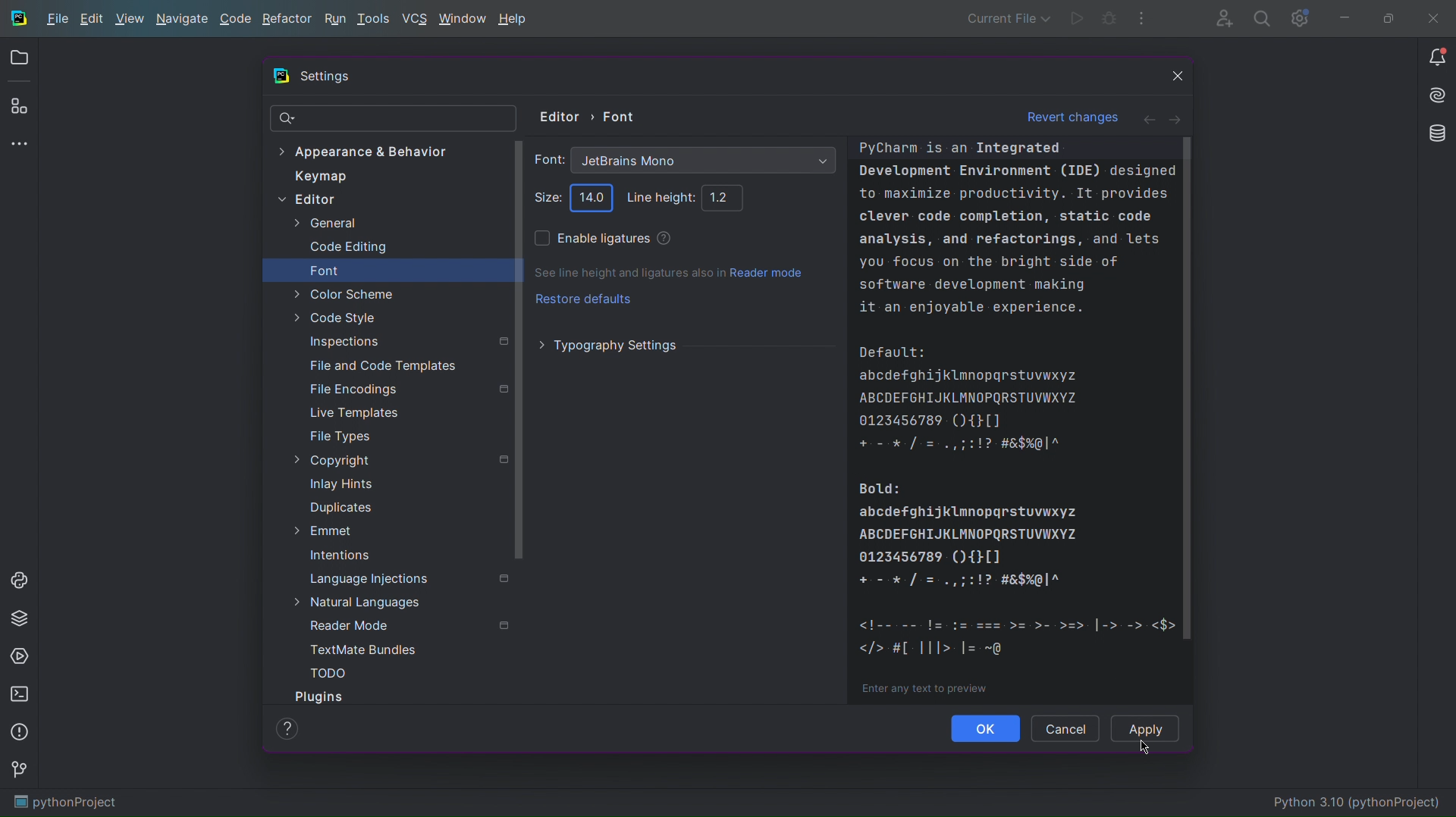 Image resolution: width=1456 pixels, height=817 pixels. What do you see at coordinates (1344, 18) in the screenshot?
I see `Minimize ` at bounding box center [1344, 18].